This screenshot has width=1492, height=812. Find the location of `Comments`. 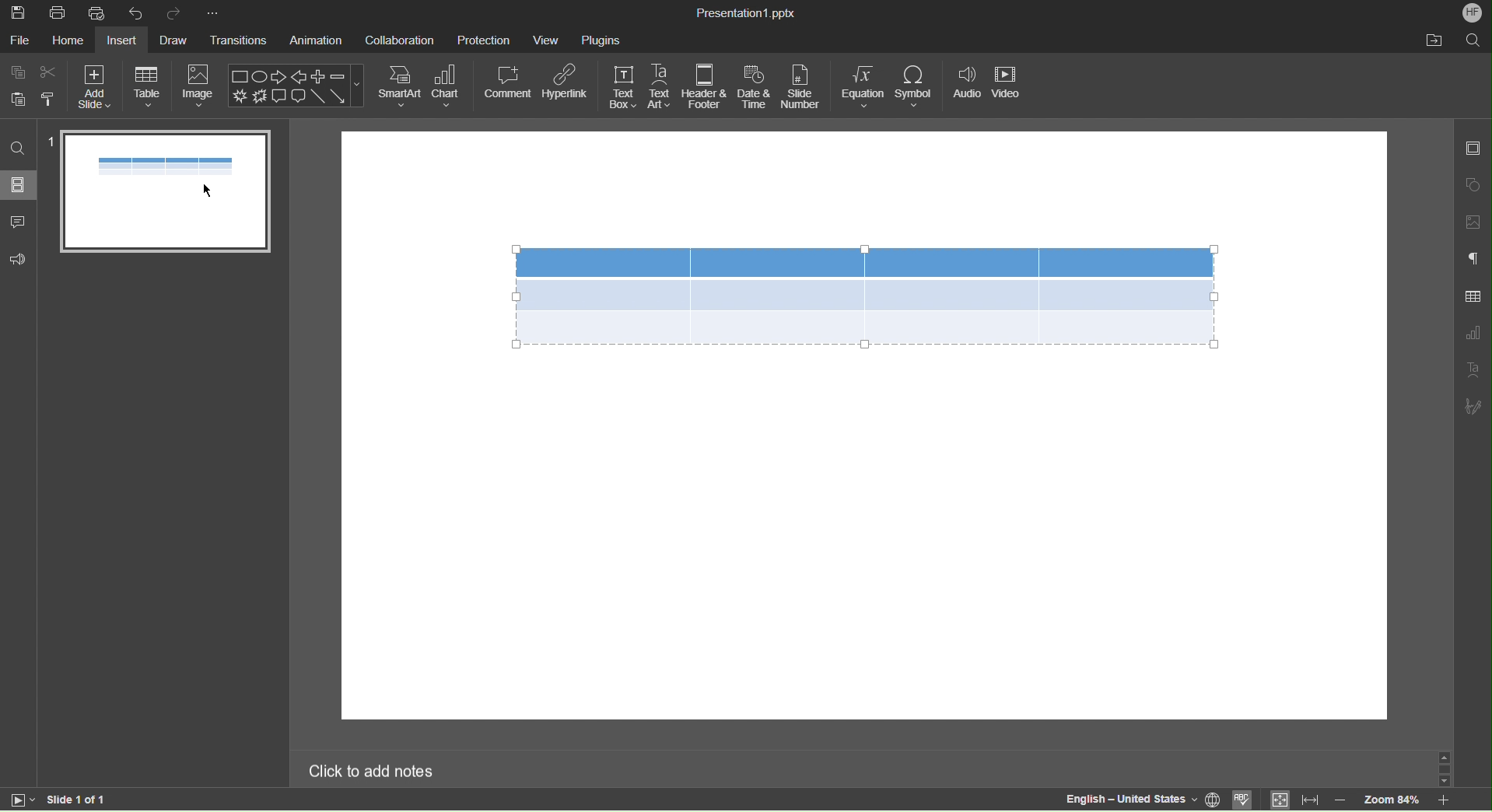

Comments is located at coordinates (19, 222).